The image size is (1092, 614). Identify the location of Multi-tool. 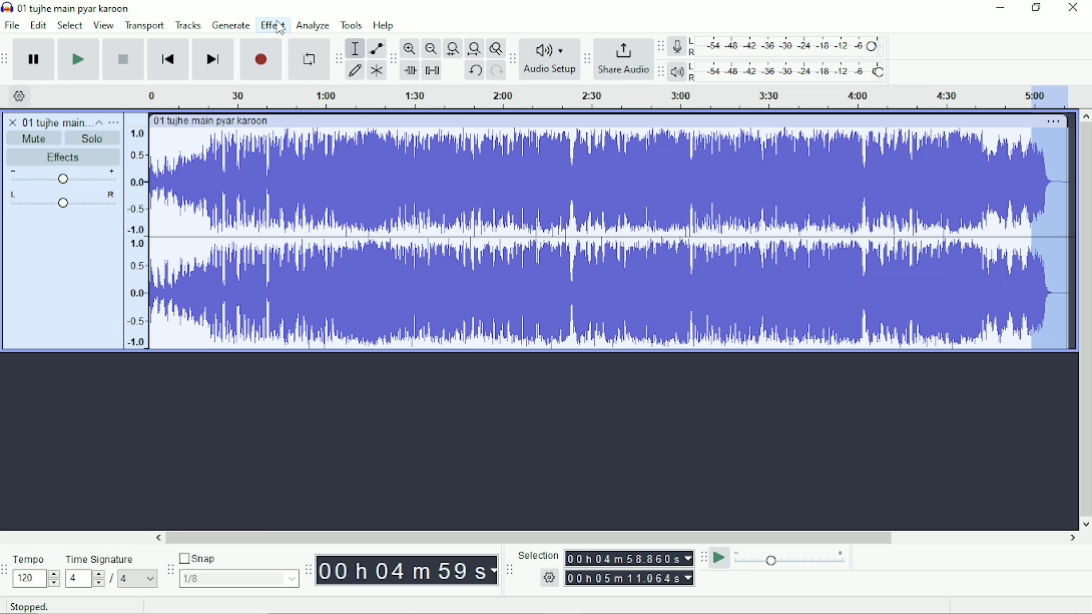
(376, 70).